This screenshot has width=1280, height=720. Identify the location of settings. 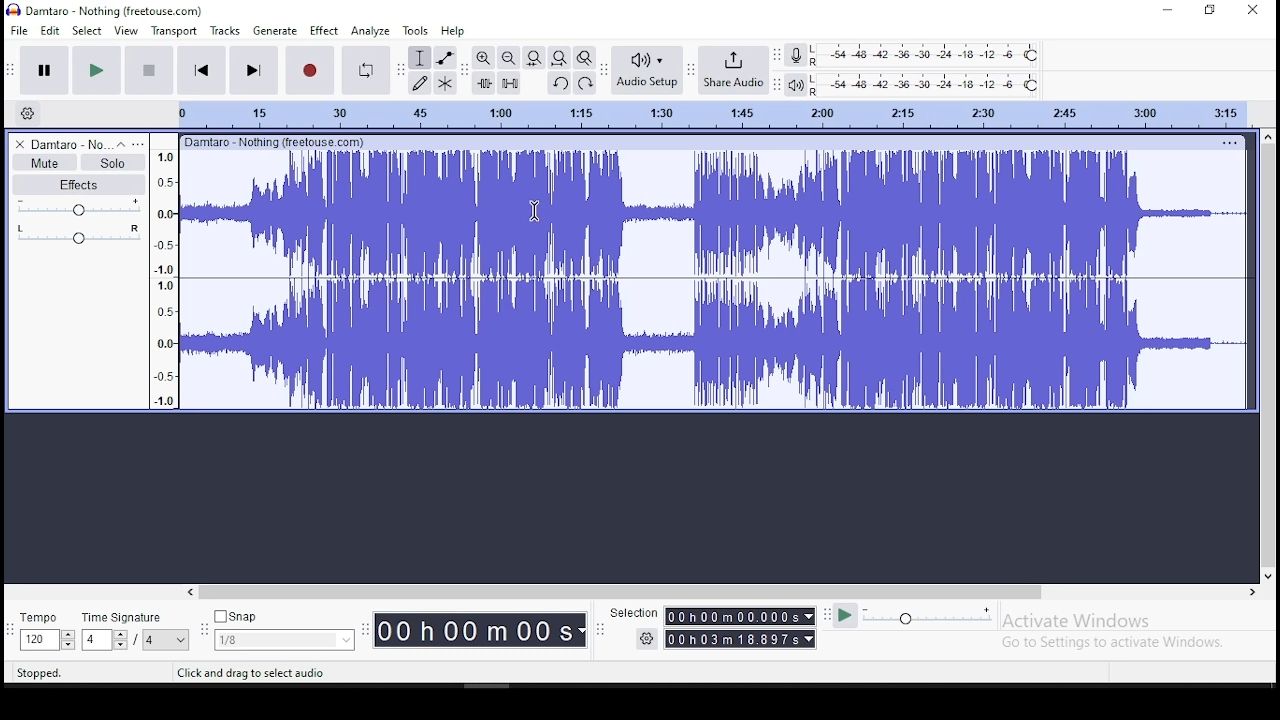
(646, 640).